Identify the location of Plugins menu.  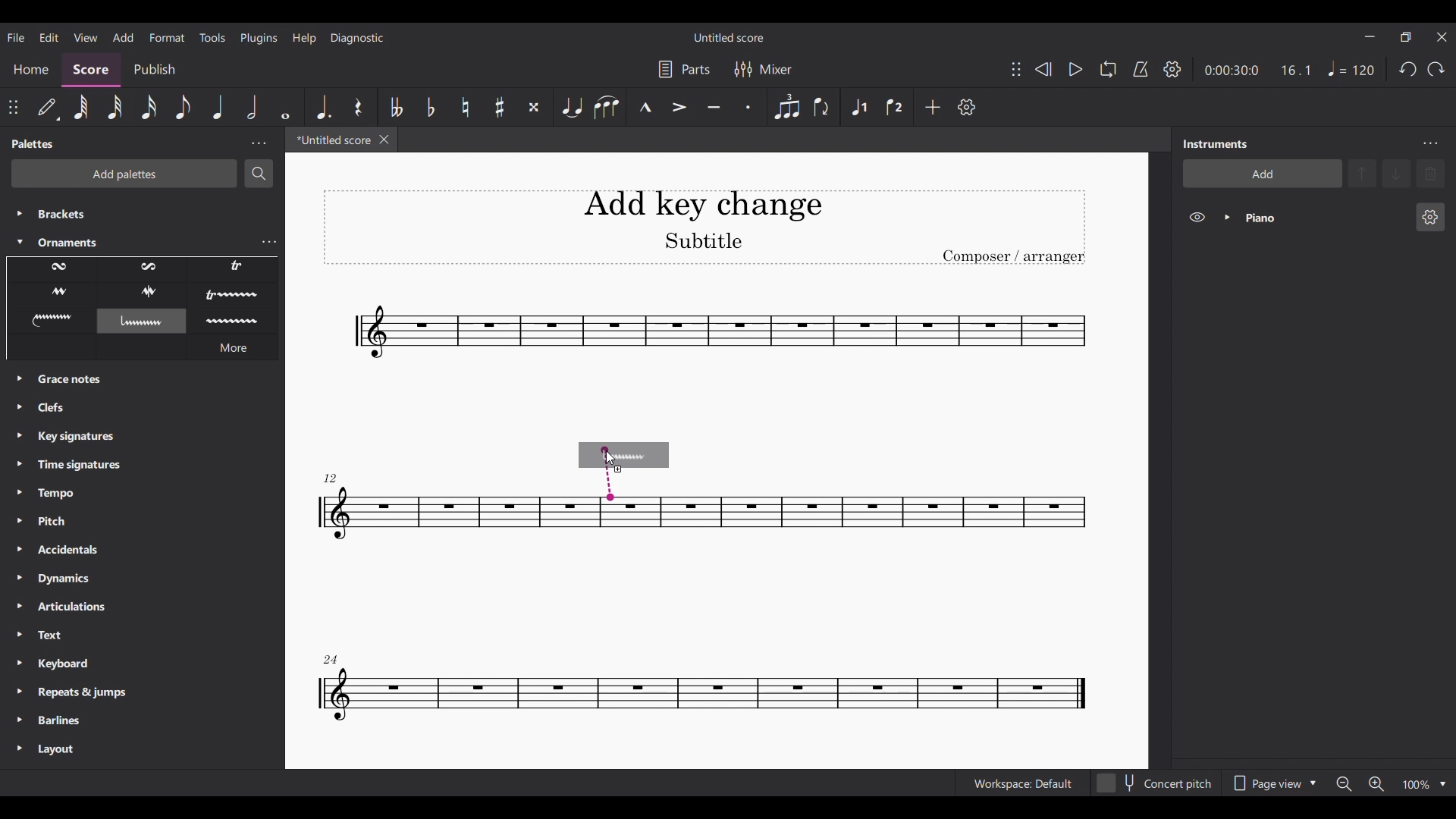
(259, 37).